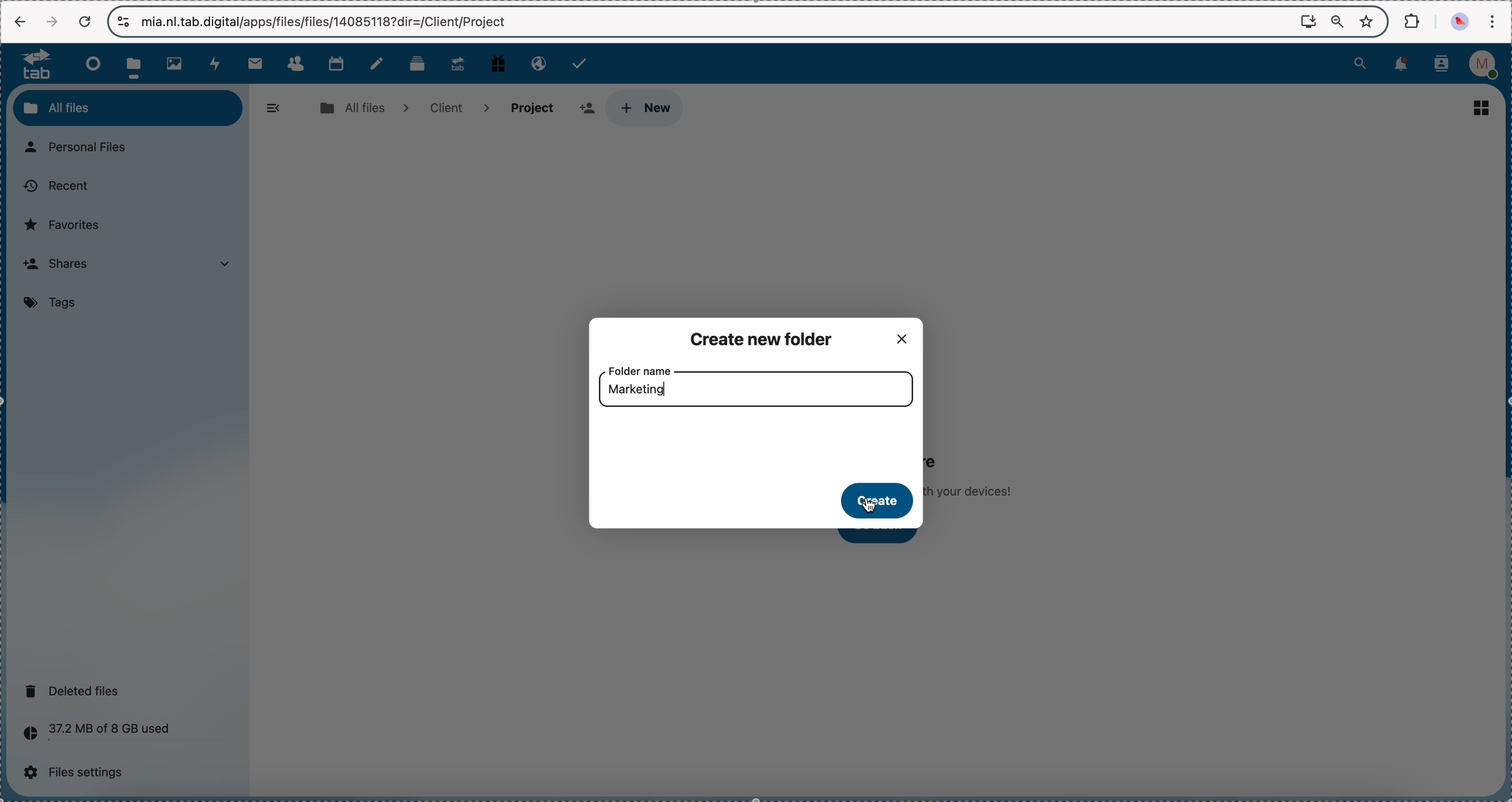  Describe the element at coordinates (498, 62) in the screenshot. I see `free` at that location.